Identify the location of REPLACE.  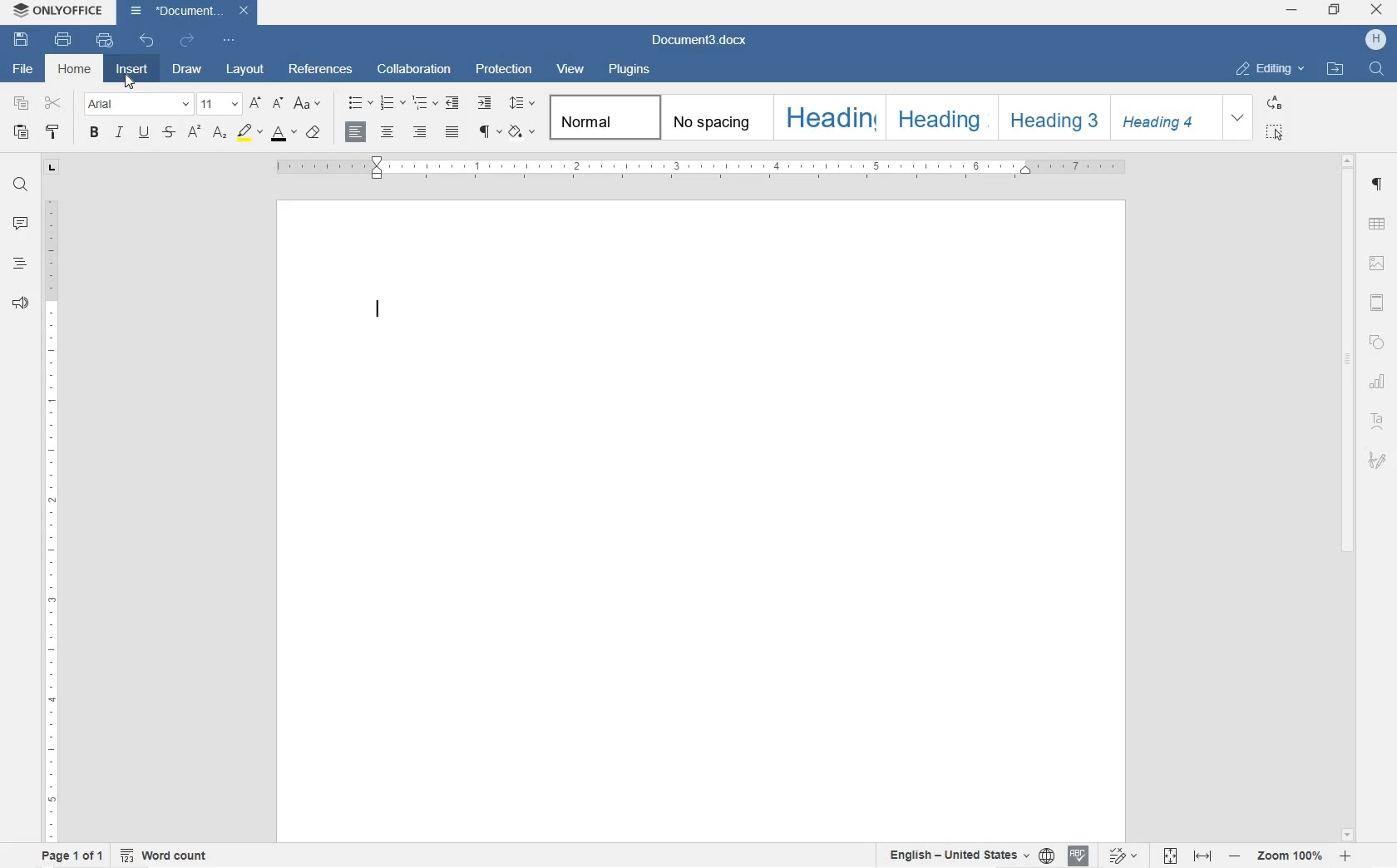
(1273, 104).